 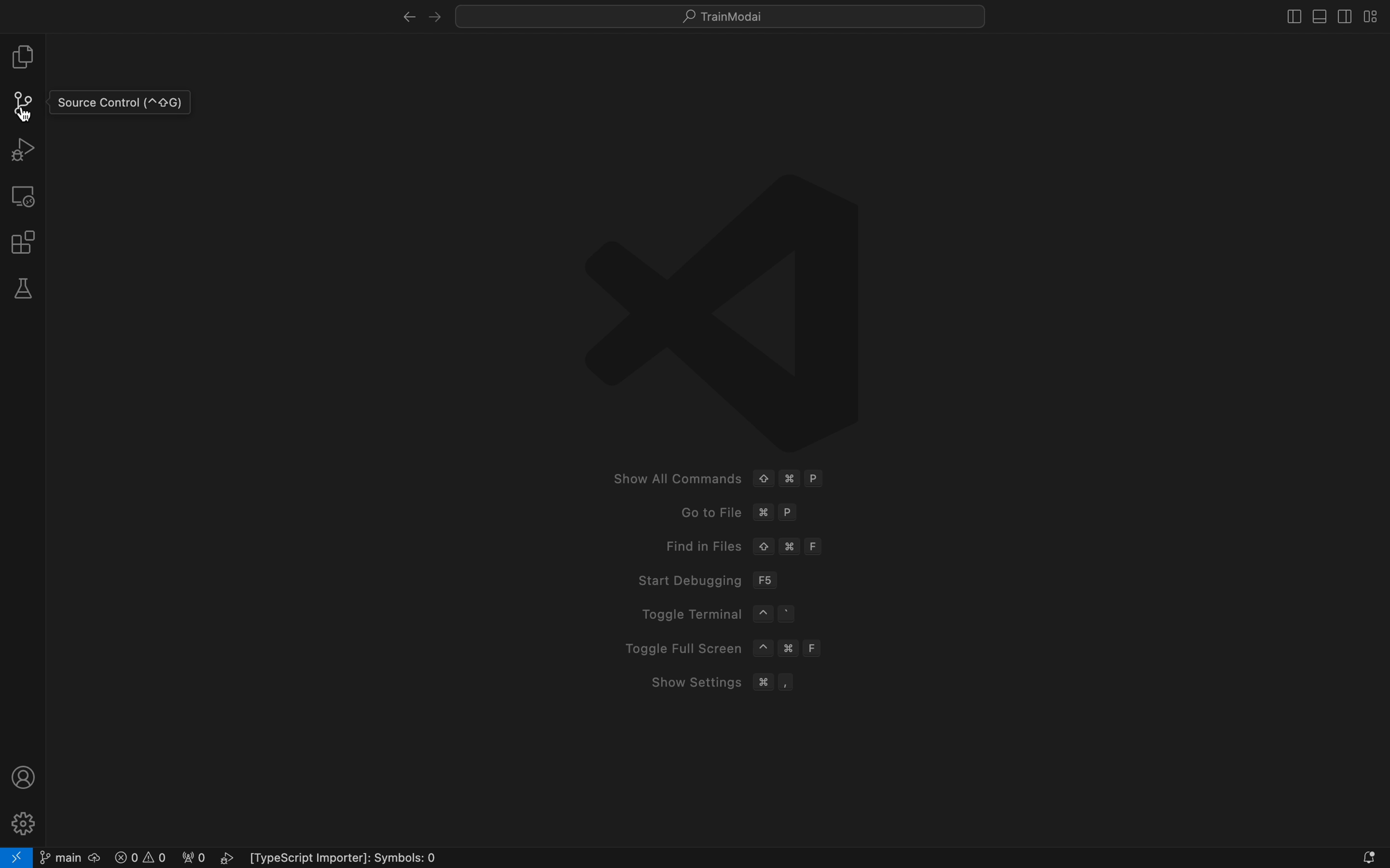 I want to click on debug, so click(x=27, y=149).